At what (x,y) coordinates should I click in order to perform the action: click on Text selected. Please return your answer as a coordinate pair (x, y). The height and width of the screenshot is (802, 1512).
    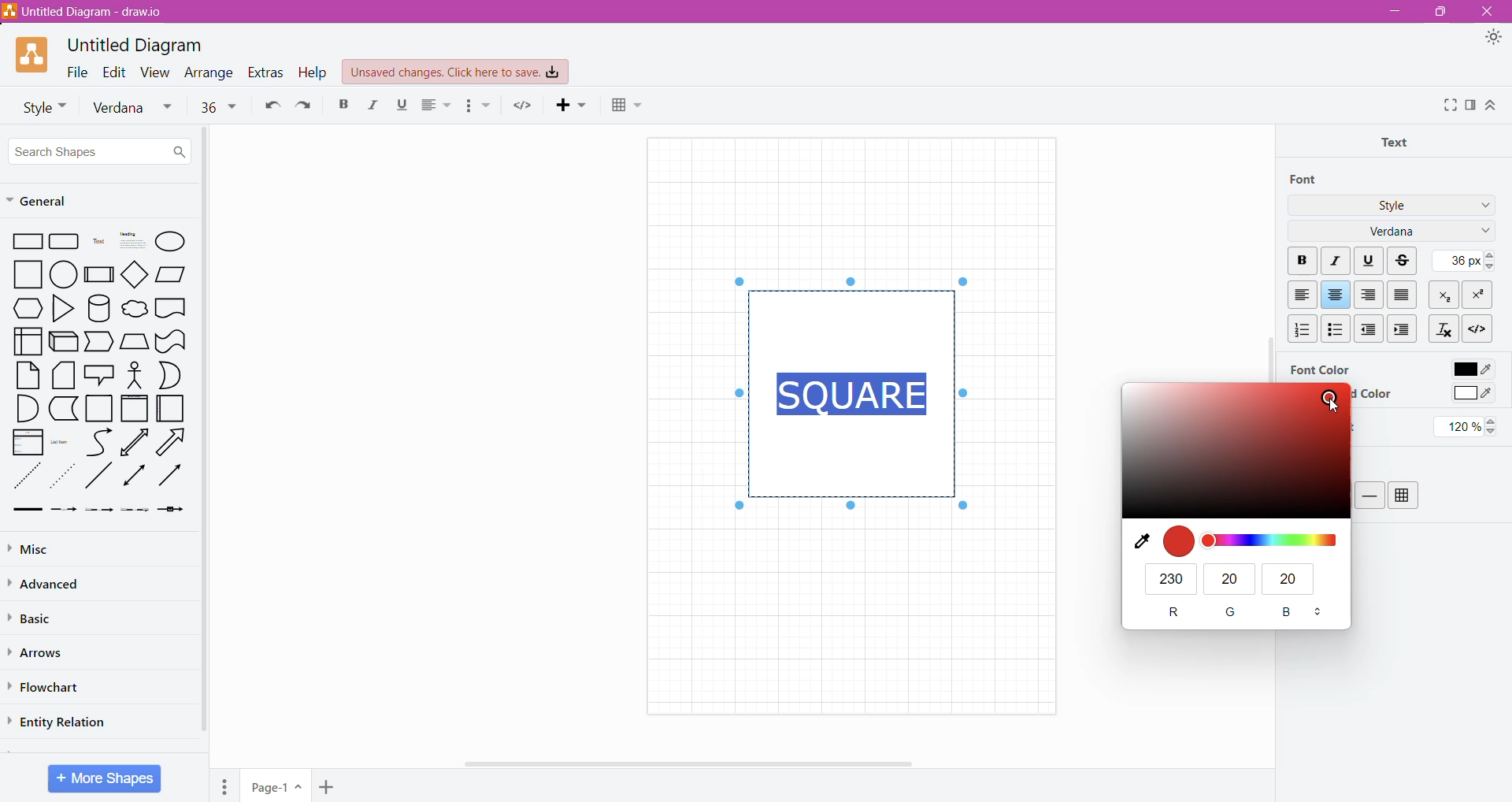
    Looking at the image, I should click on (855, 392).